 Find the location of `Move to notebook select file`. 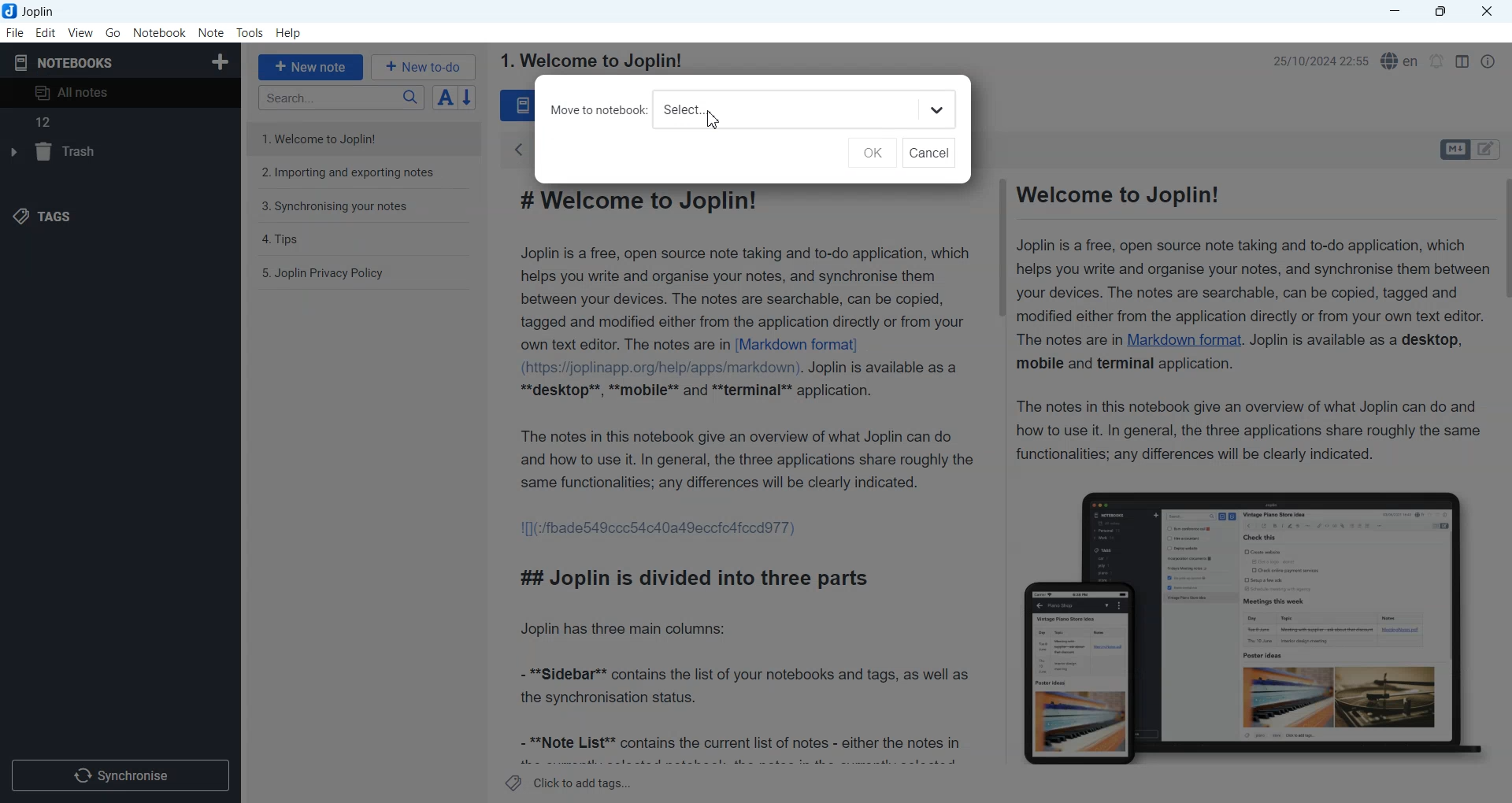

Move to notebook select file is located at coordinates (726, 109).